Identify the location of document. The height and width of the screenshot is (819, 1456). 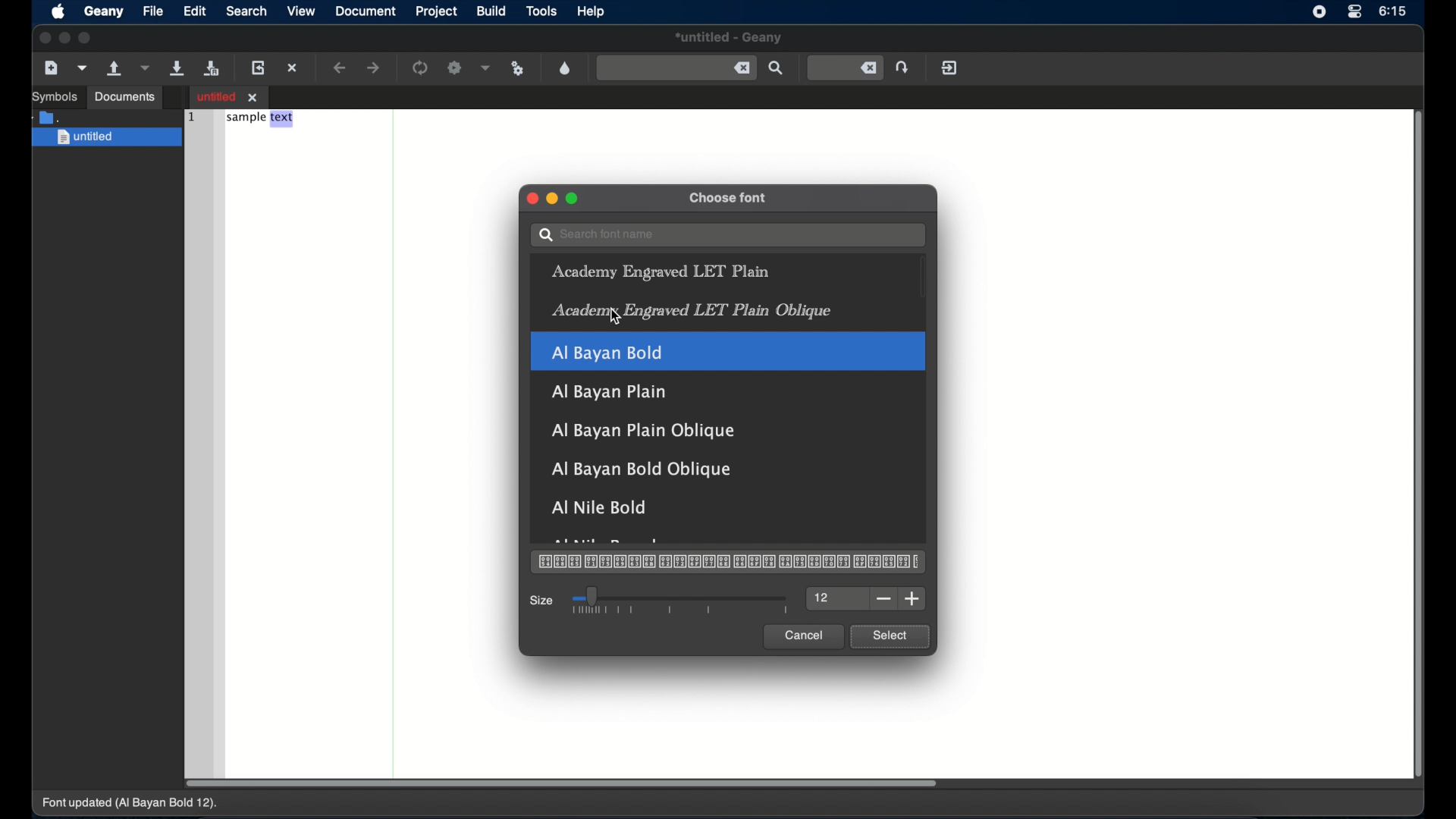
(366, 11).